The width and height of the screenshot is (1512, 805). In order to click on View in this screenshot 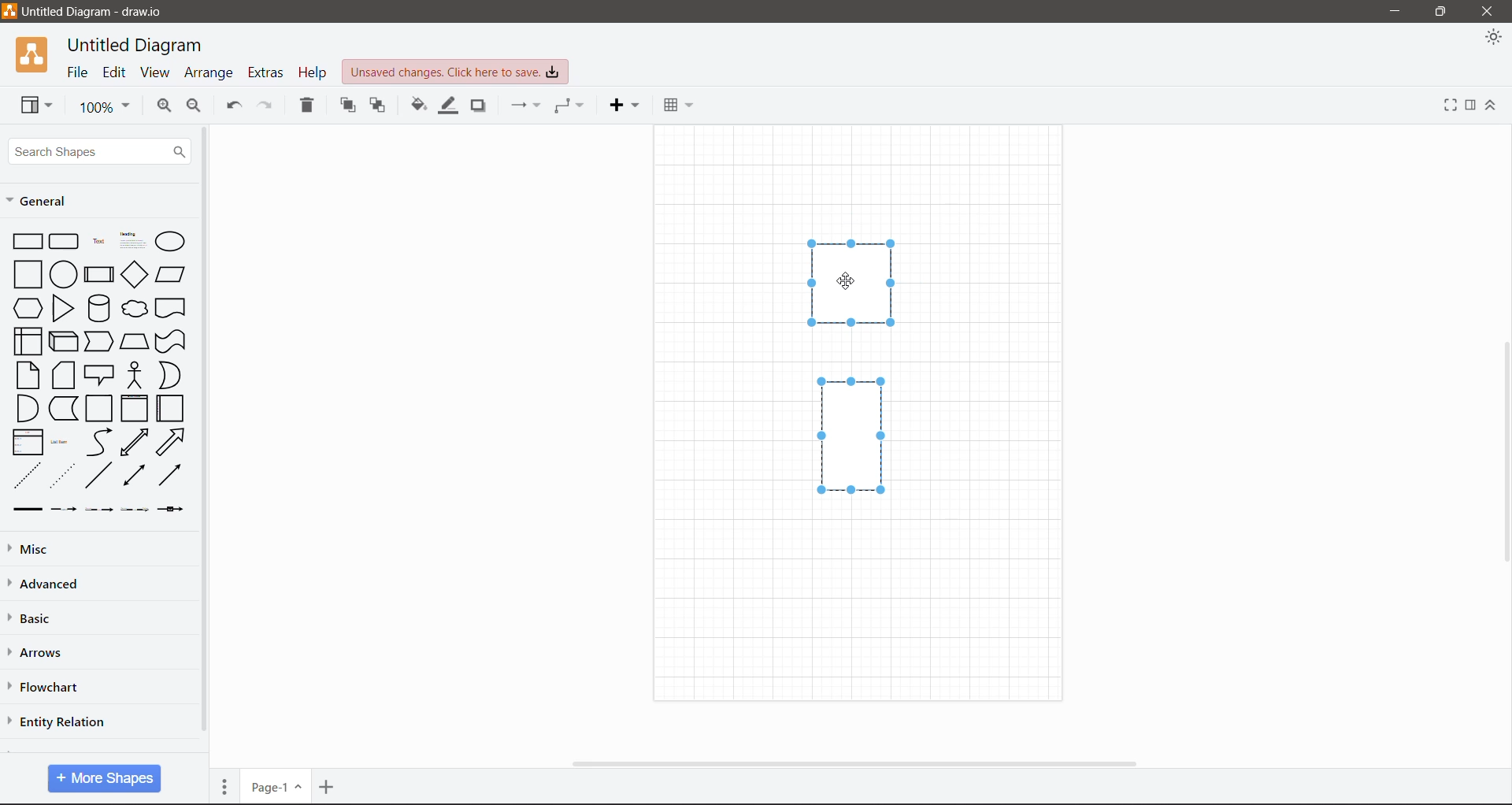, I will do `click(154, 72)`.